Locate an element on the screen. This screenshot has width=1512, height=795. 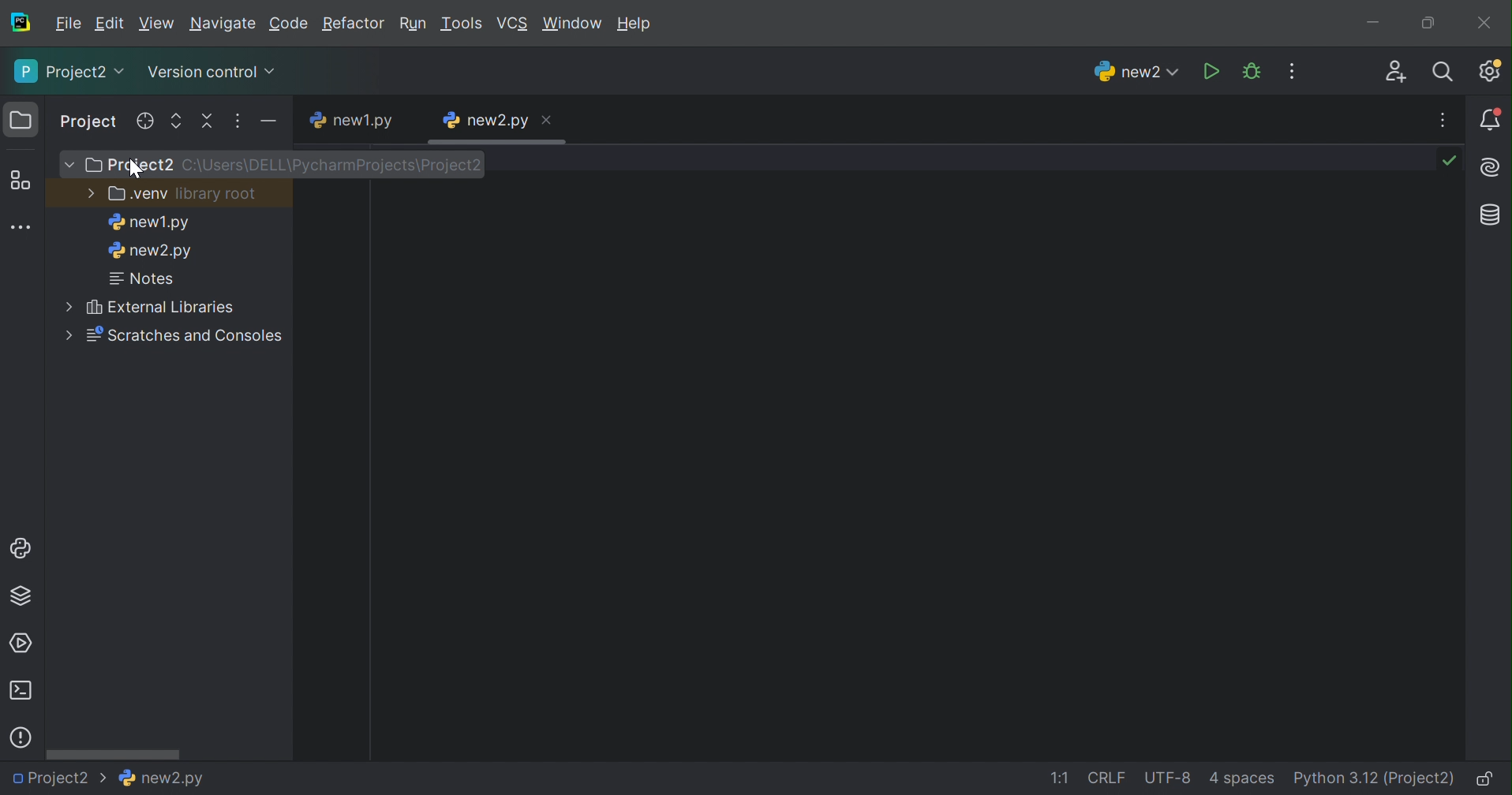
Run is located at coordinates (1210, 71).